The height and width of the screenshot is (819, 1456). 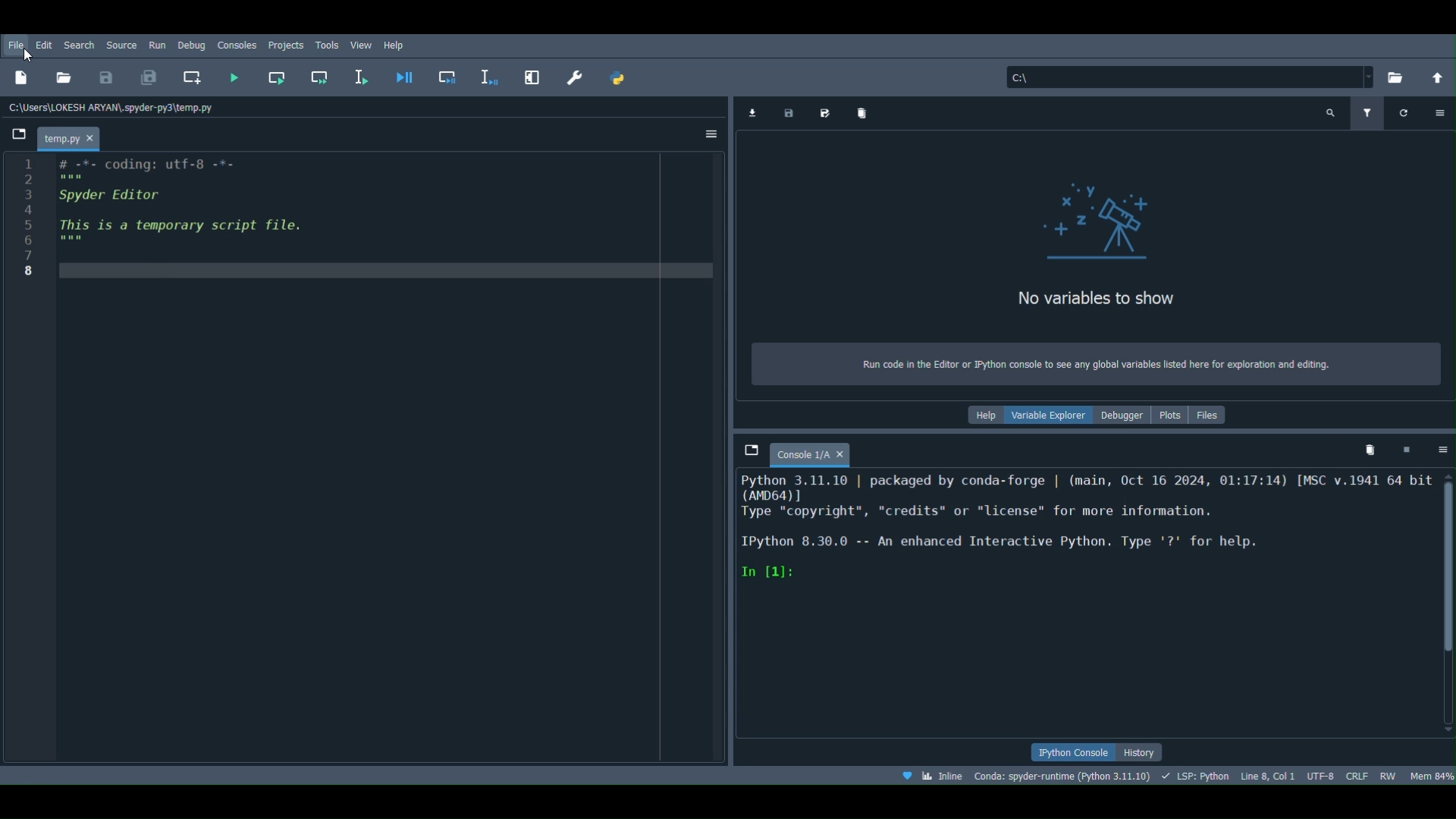 I want to click on Console 1/A, so click(x=798, y=455).